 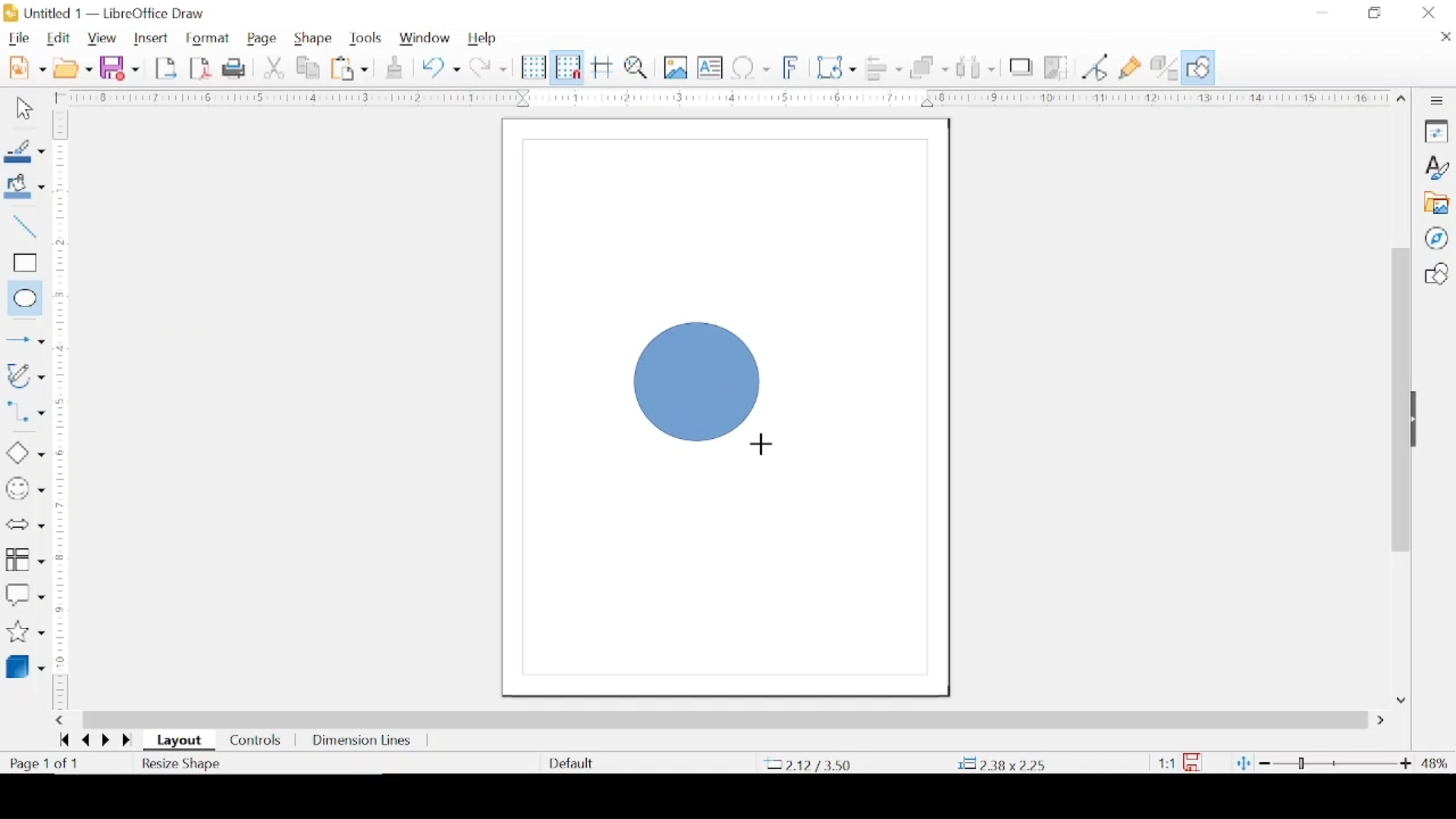 I want to click on properties, so click(x=1438, y=132).